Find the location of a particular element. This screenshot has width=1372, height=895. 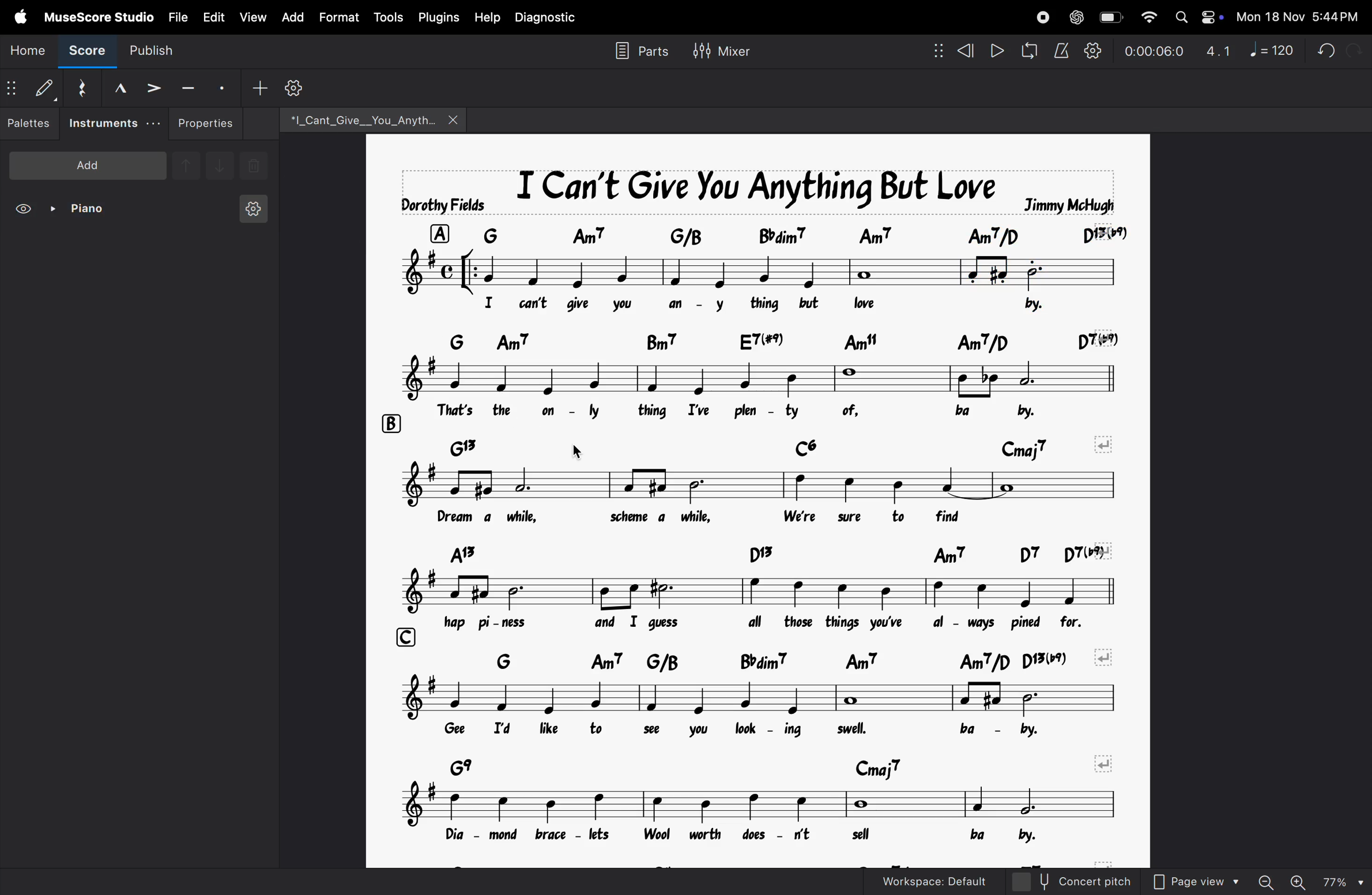

workspace default is located at coordinates (926, 881).